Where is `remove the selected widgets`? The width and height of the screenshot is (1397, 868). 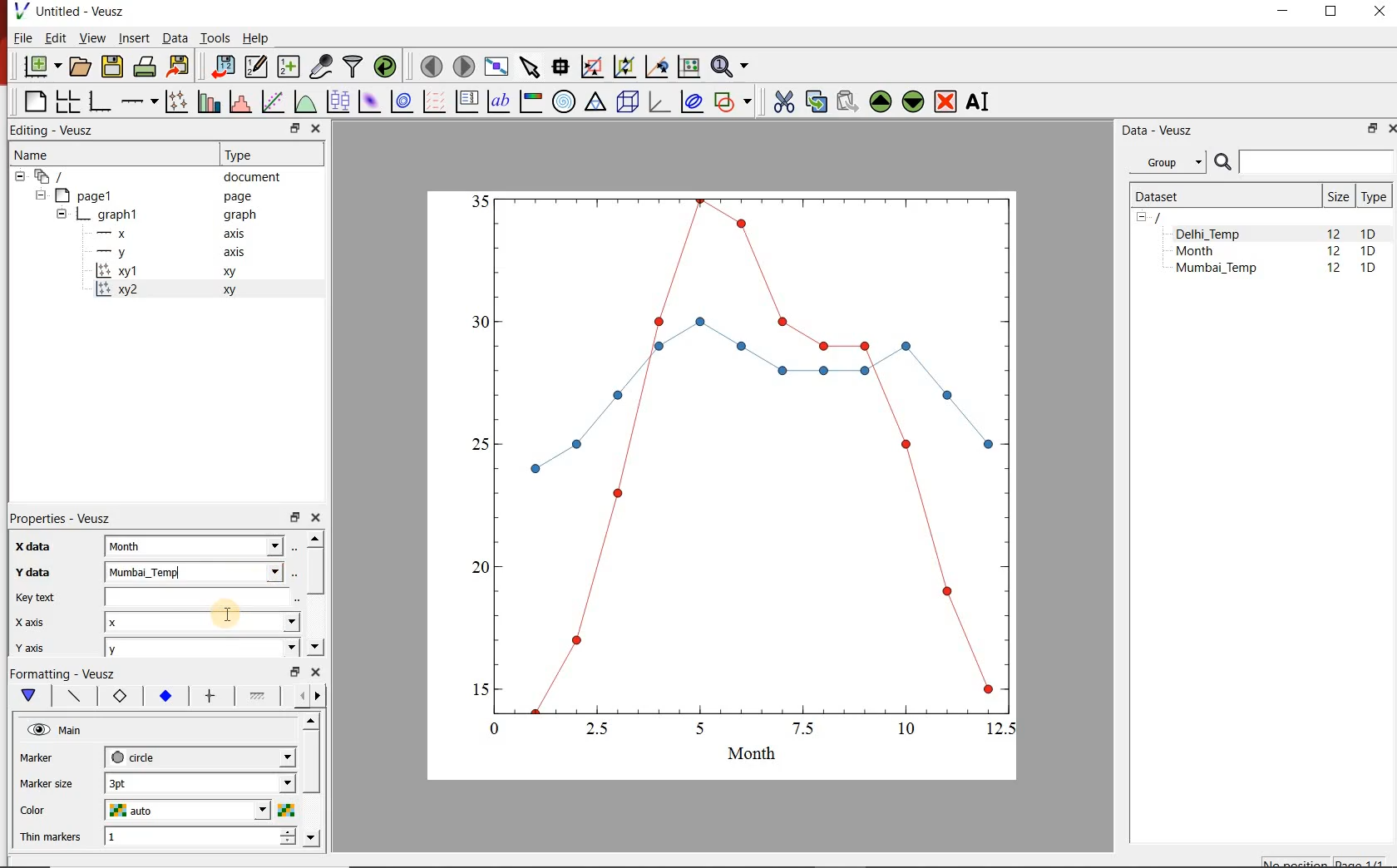 remove the selected widgets is located at coordinates (946, 101).